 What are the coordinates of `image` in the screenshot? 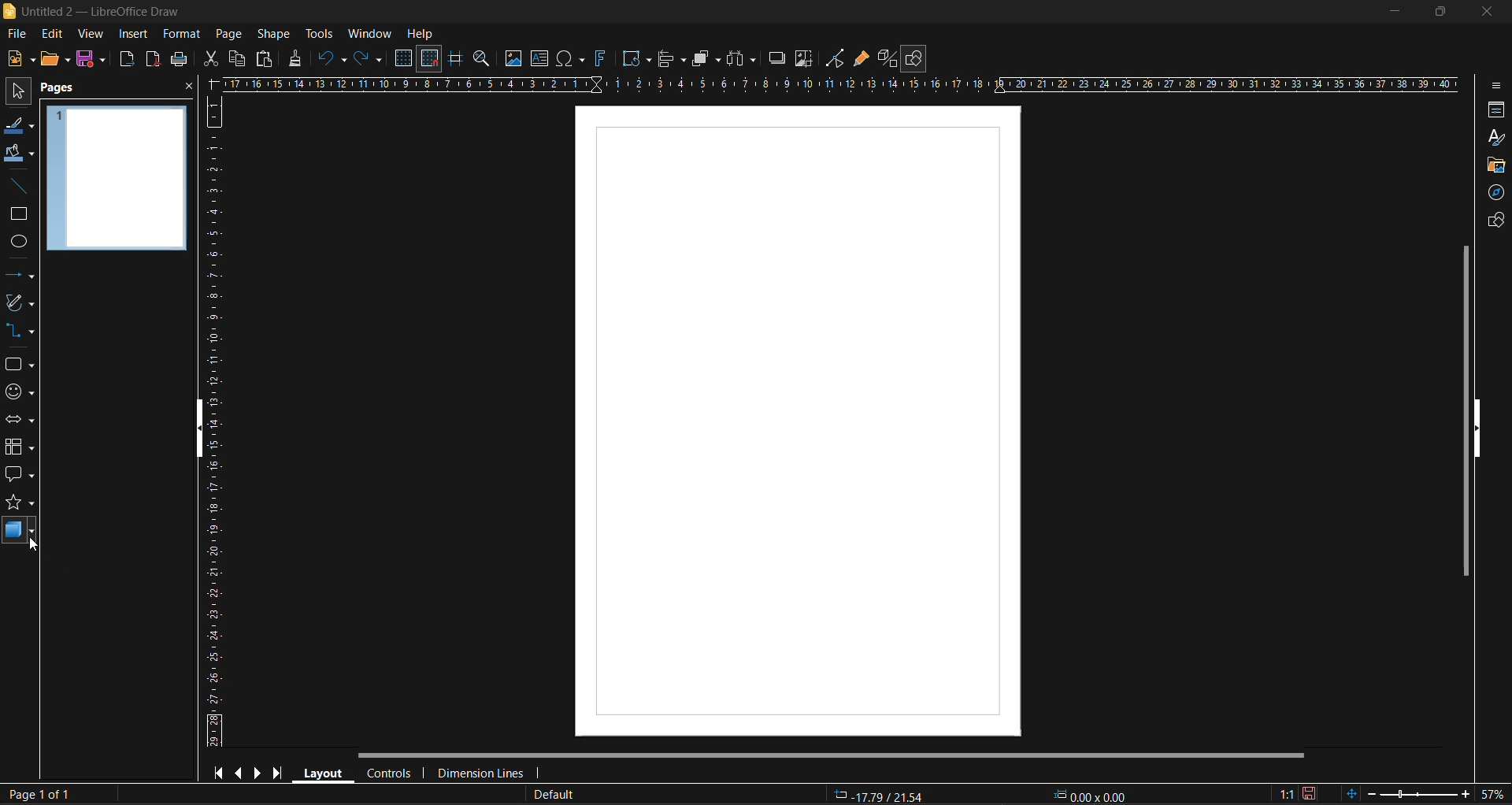 It's located at (513, 60).